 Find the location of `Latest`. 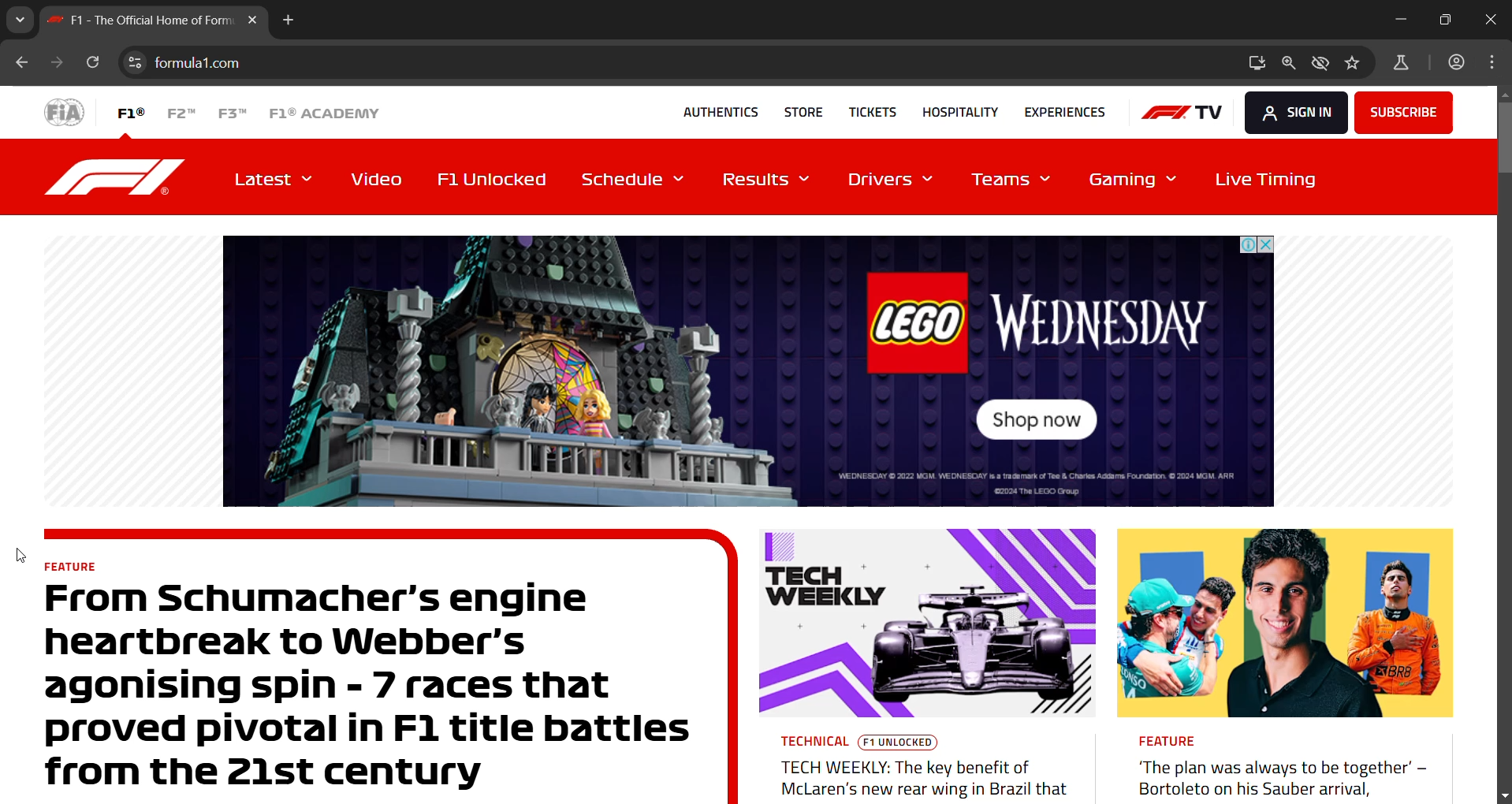

Latest is located at coordinates (277, 178).